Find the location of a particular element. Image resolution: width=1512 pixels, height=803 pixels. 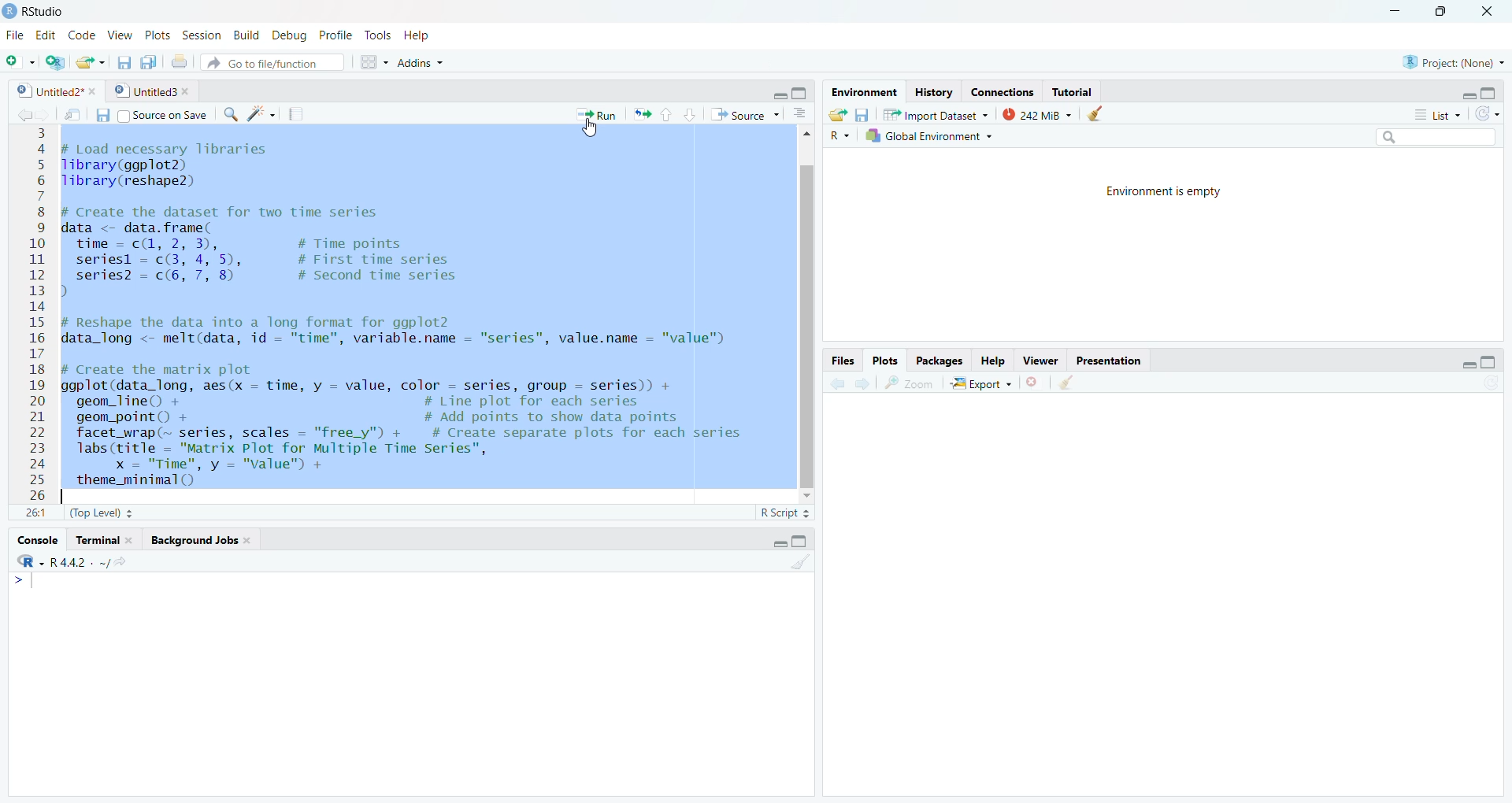

Terminal is located at coordinates (104, 541).